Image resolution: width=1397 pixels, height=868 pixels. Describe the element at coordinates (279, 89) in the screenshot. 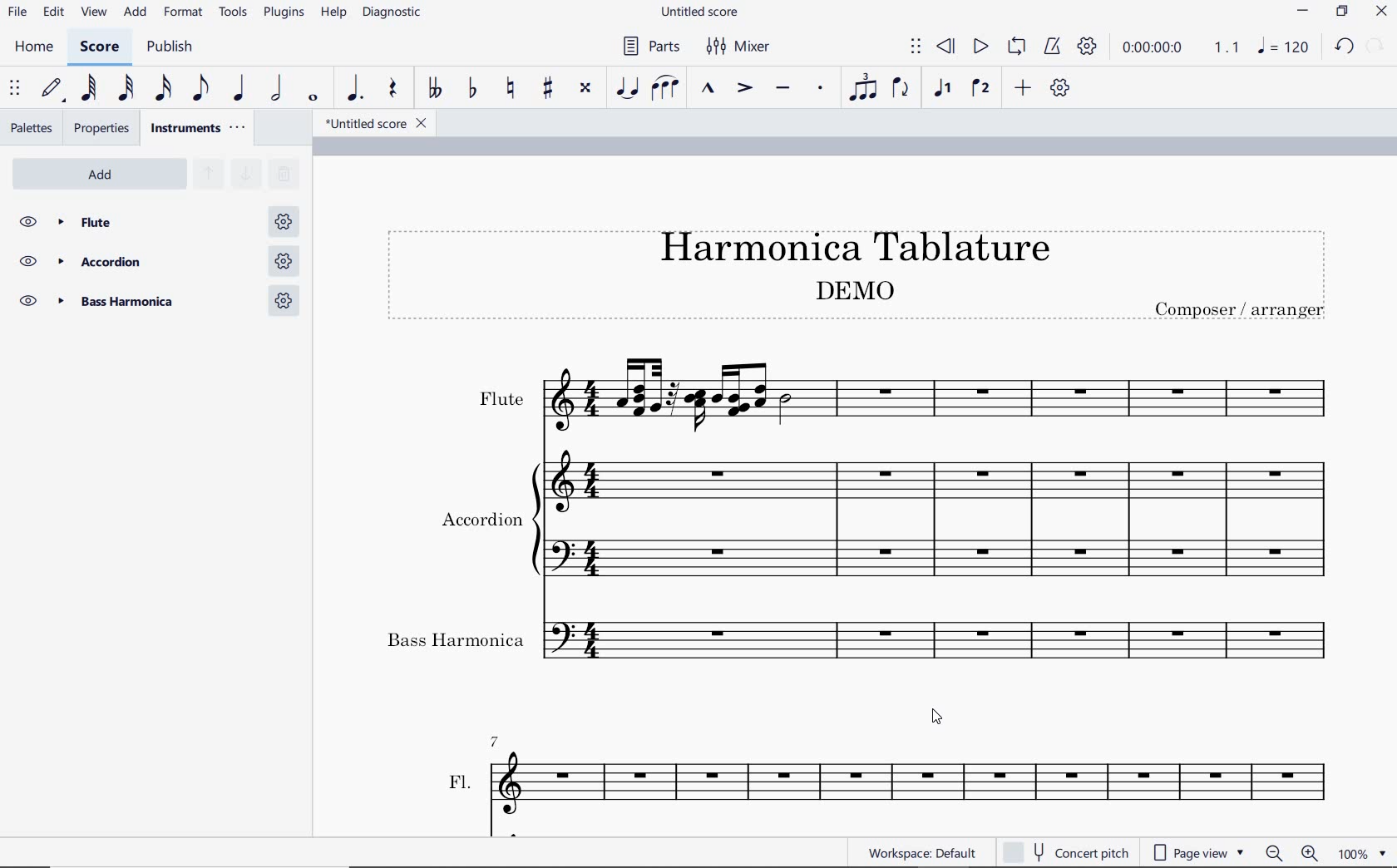

I see `half note` at that location.